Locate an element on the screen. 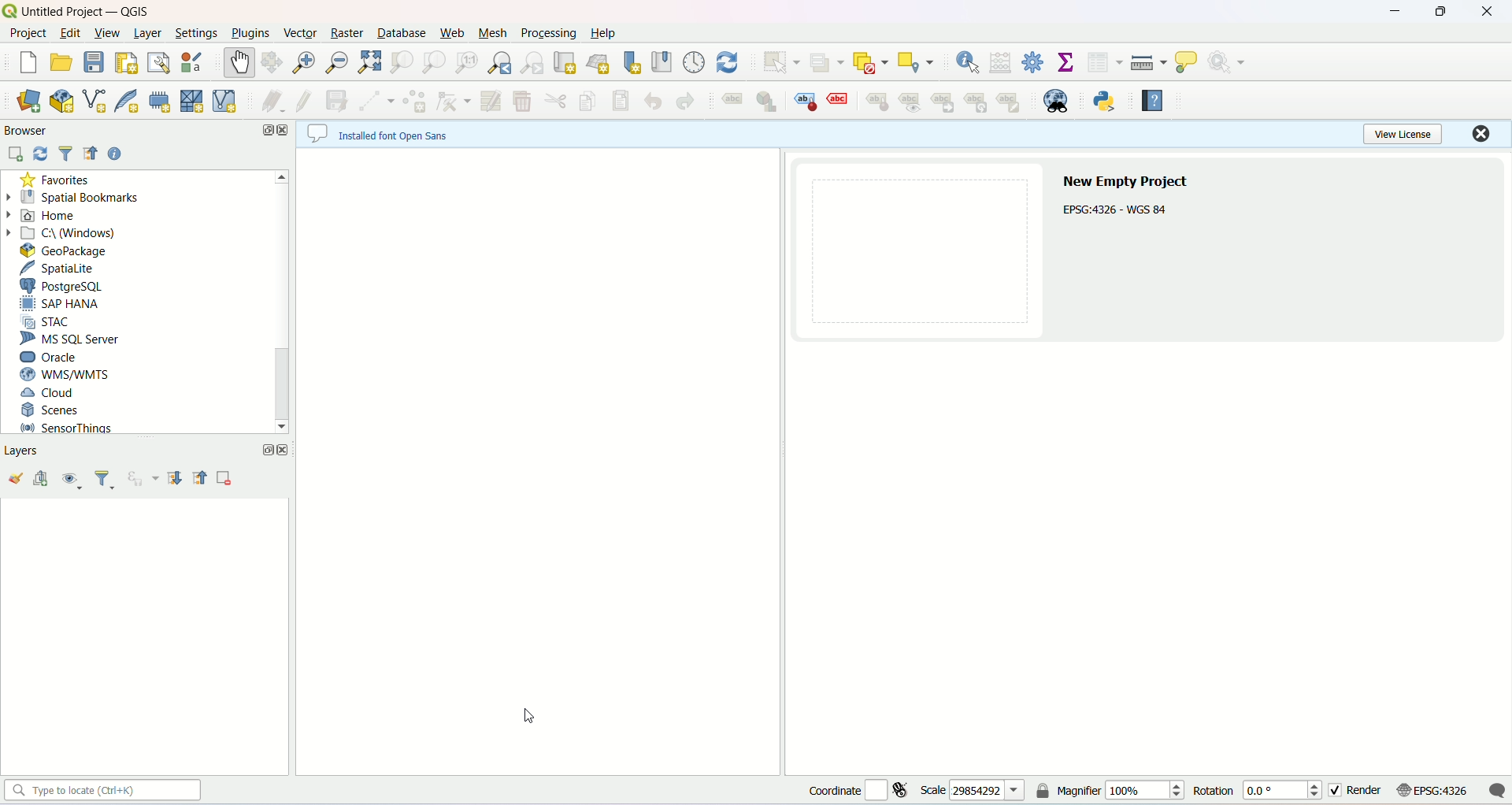  vertical scroll bar is located at coordinates (278, 302).